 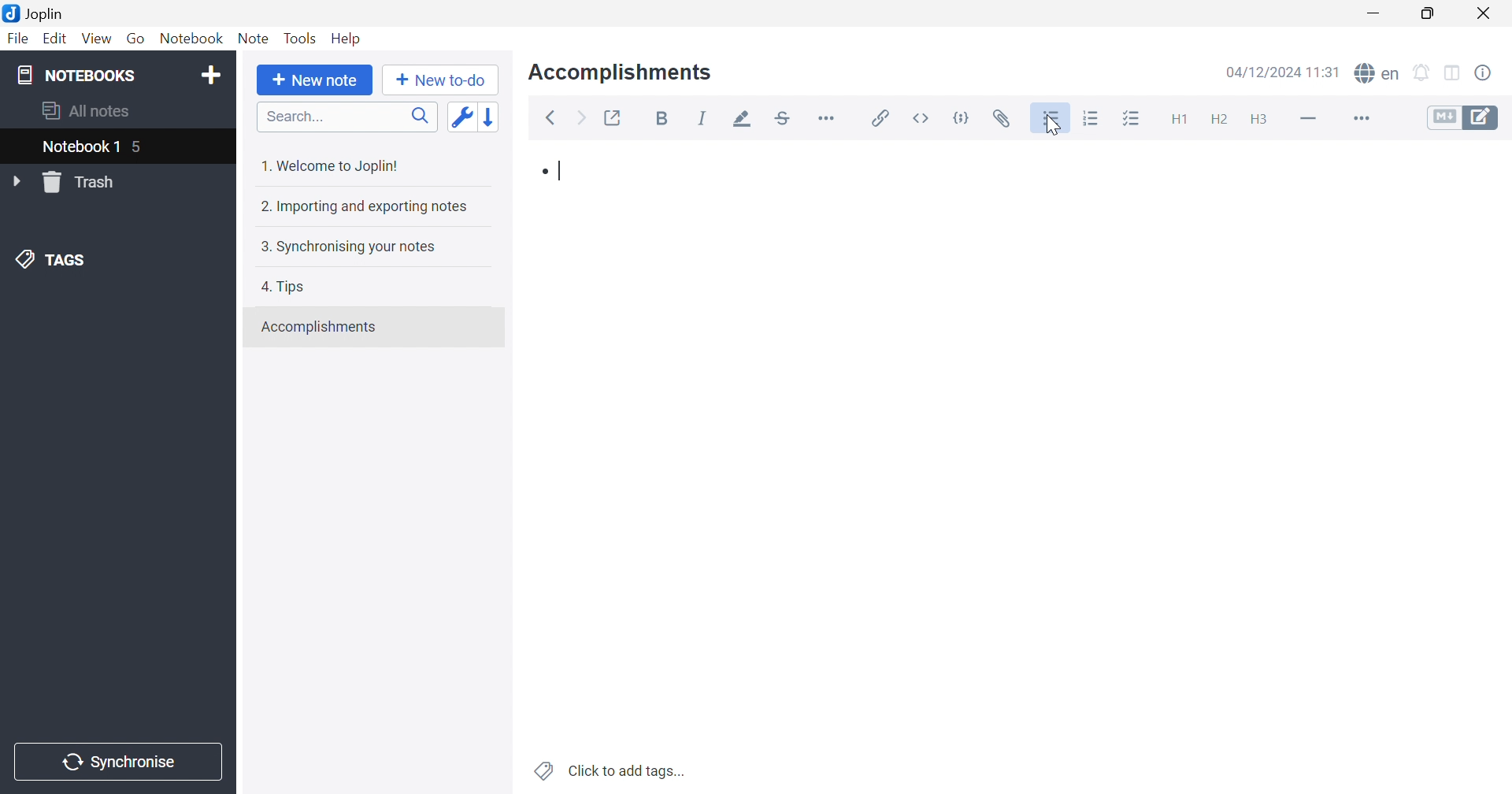 I want to click on Heading 3, so click(x=1262, y=118).